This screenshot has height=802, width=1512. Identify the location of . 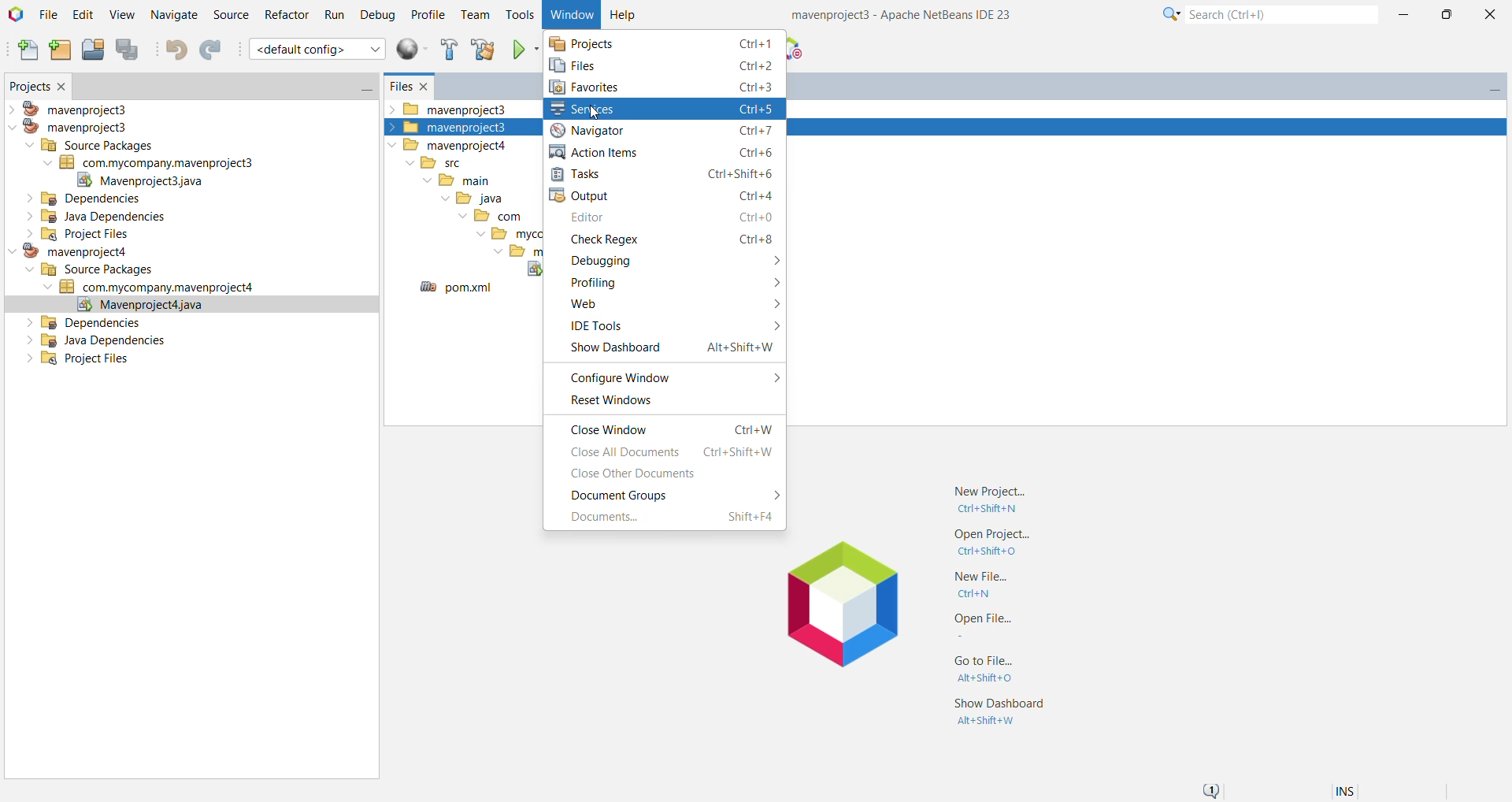
(668, 496).